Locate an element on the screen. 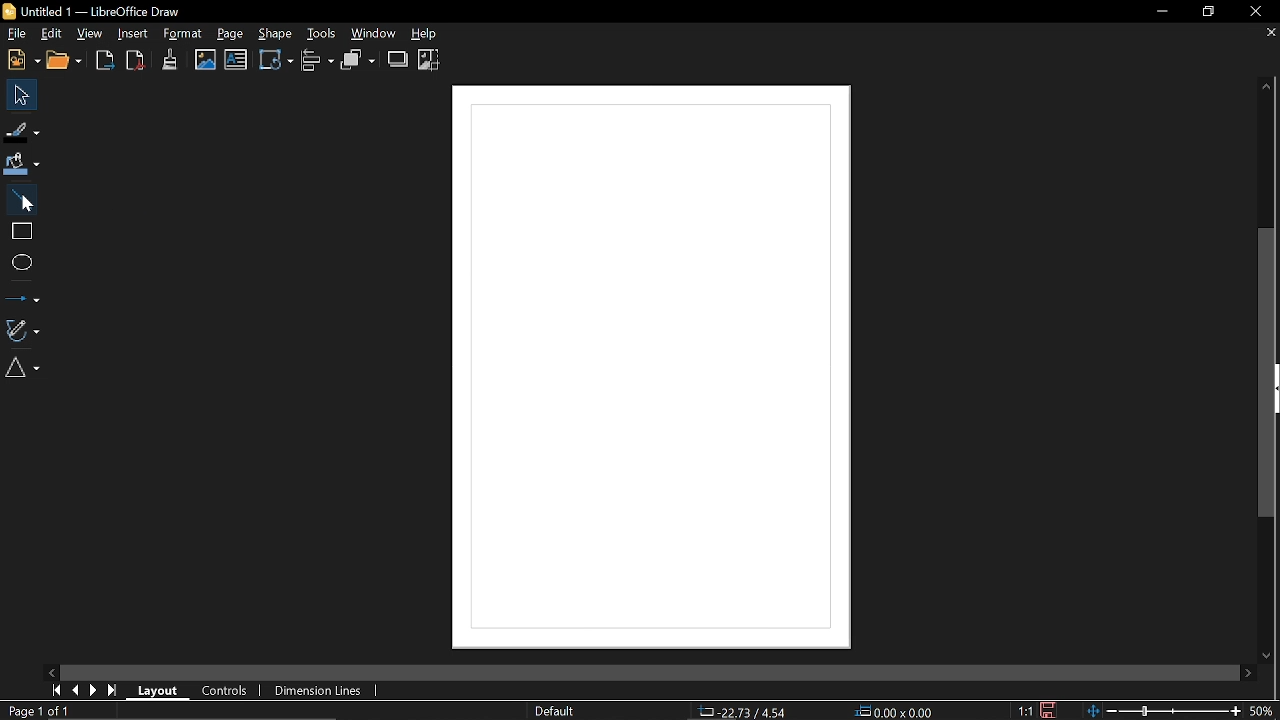  Insert  is located at coordinates (130, 34).